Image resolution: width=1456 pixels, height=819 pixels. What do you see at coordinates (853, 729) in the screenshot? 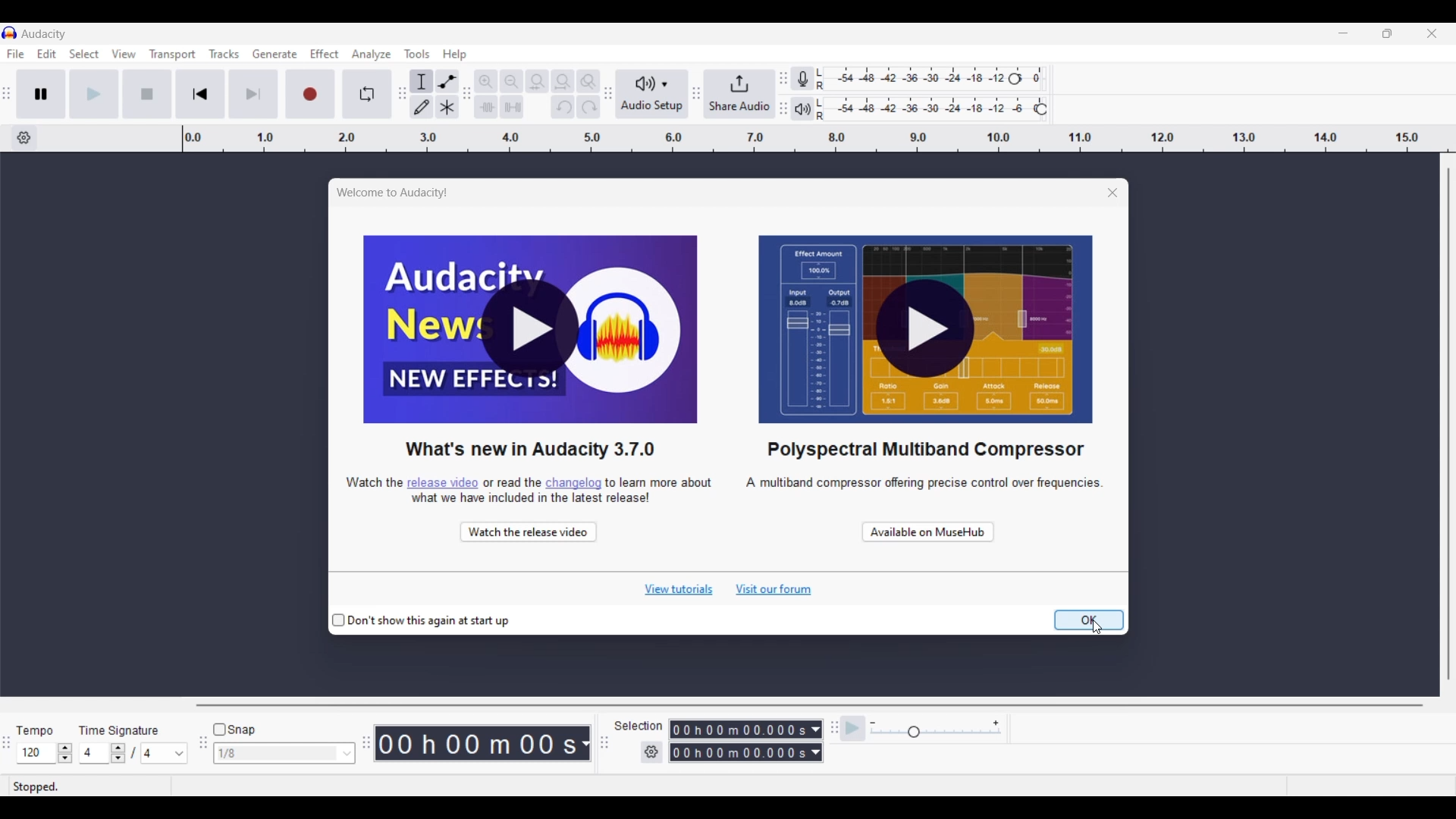
I see `Play-at-speed/Play-at-speed once` at bounding box center [853, 729].